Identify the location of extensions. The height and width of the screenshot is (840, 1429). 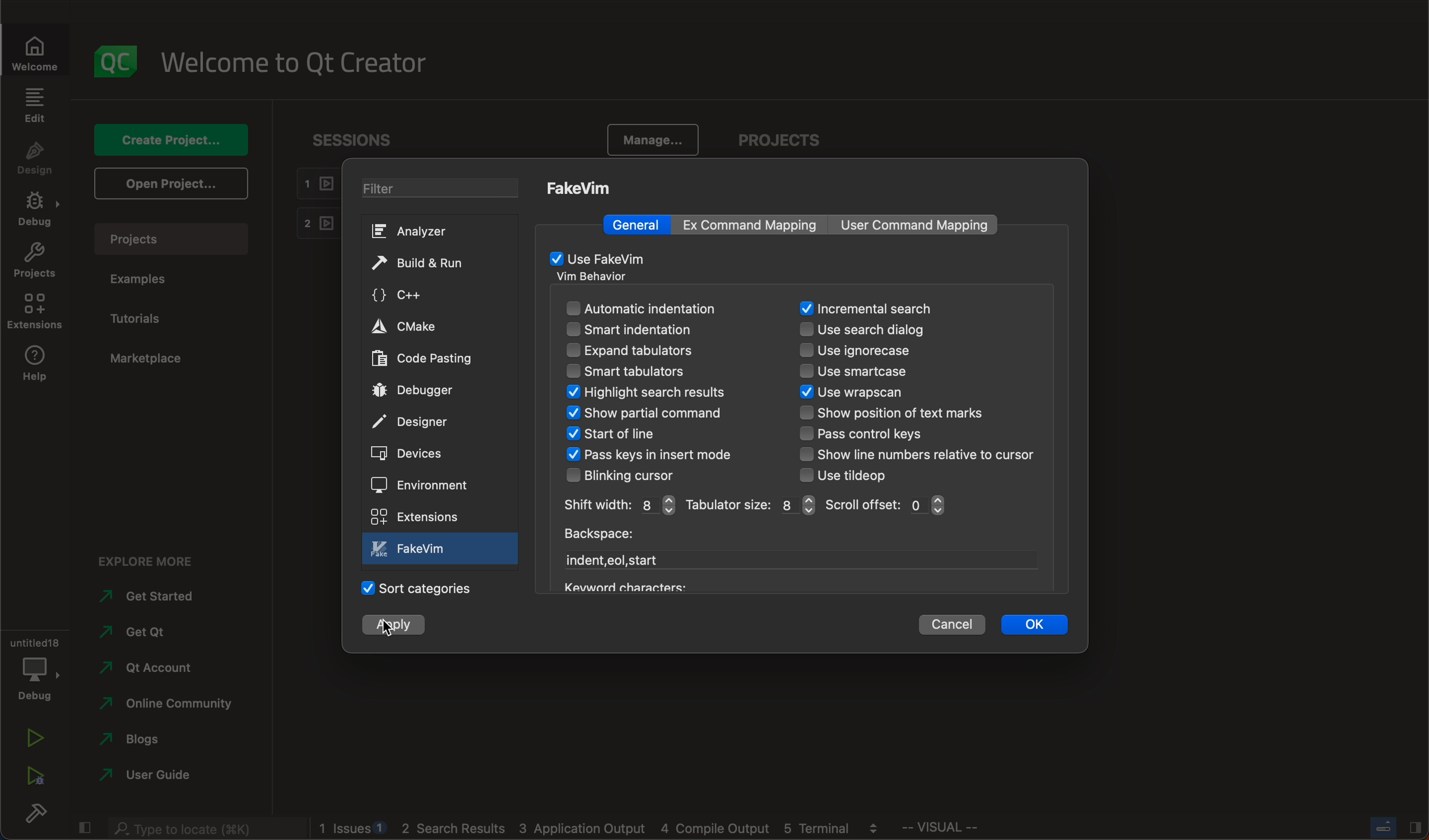
(415, 516).